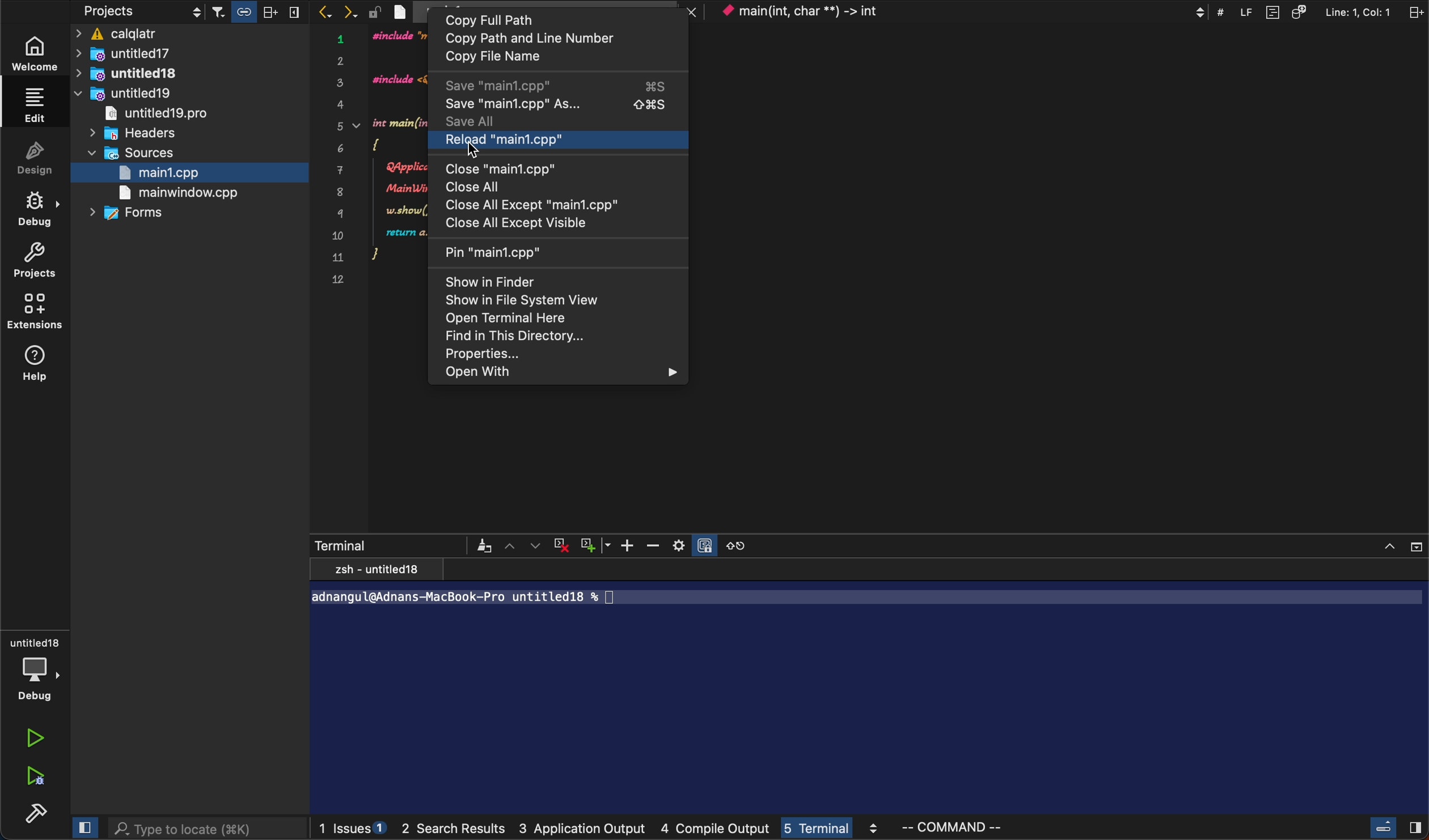 The height and width of the screenshot is (840, 1429). I want to click on untitled 19, so click(159, 115).